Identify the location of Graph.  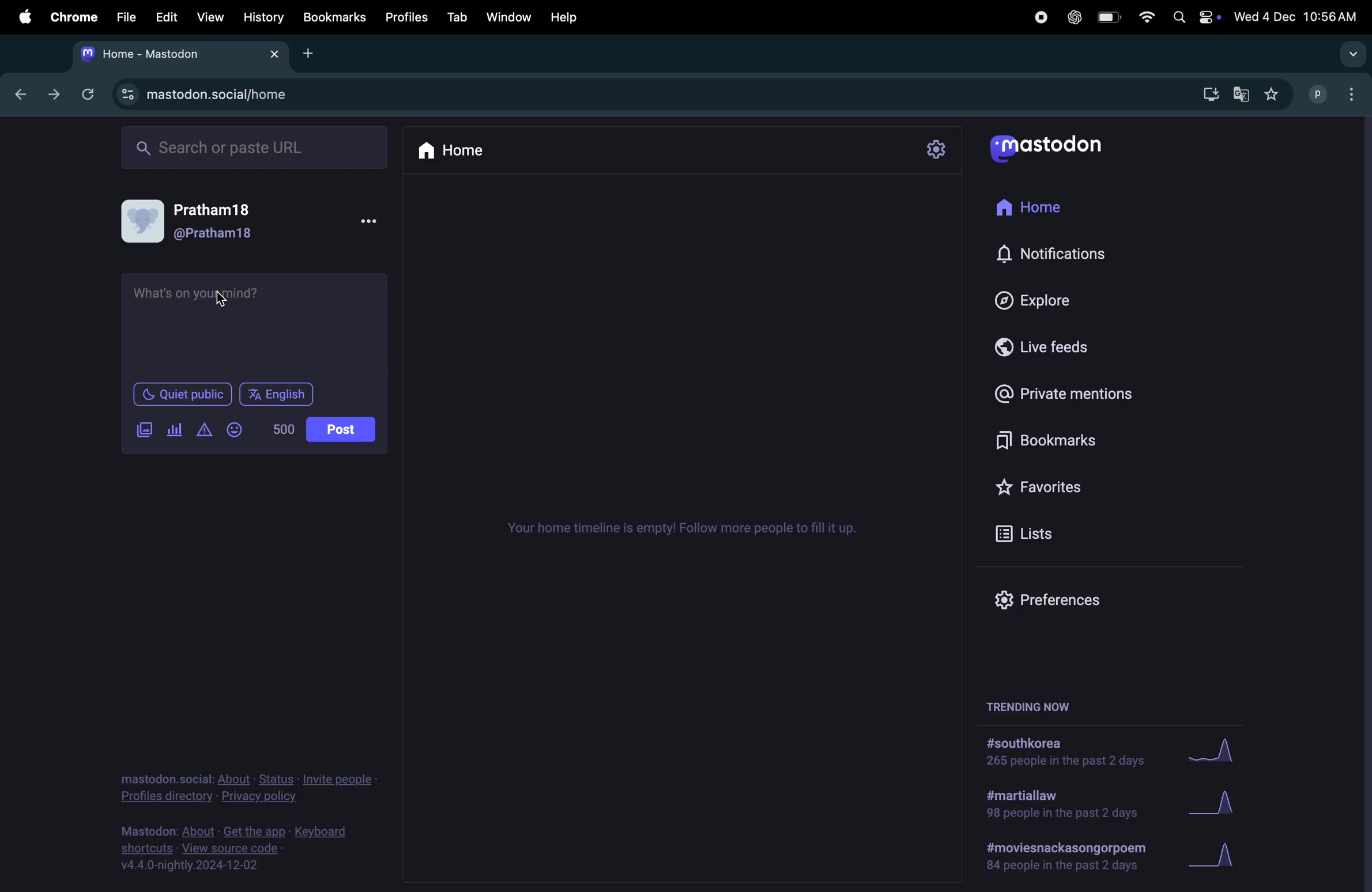
(1222, 750).